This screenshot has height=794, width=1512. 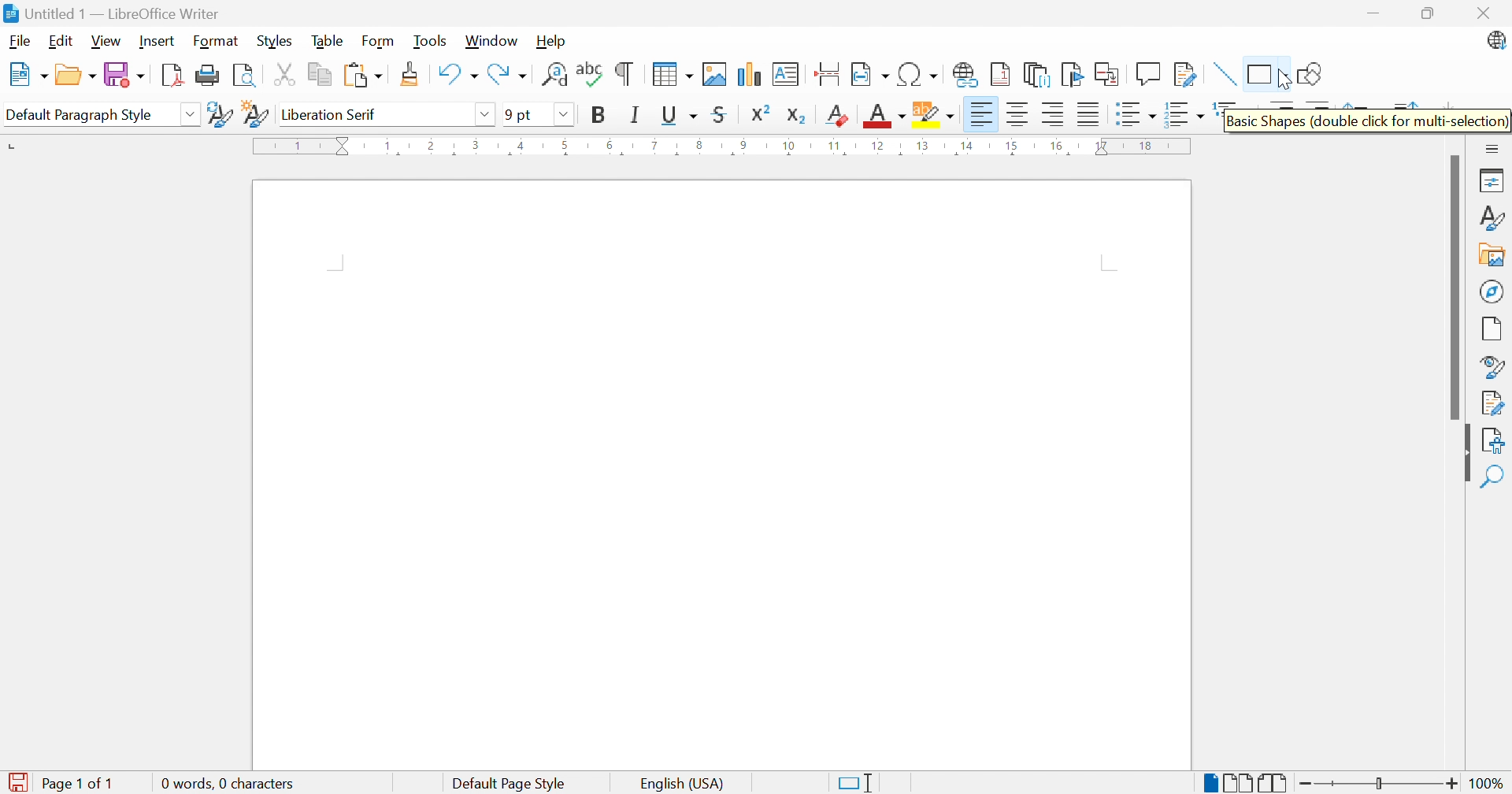 What do you see at coordinates (363, 76) in the screenshot?
I see `Paste` at bounding box center [363, 76].